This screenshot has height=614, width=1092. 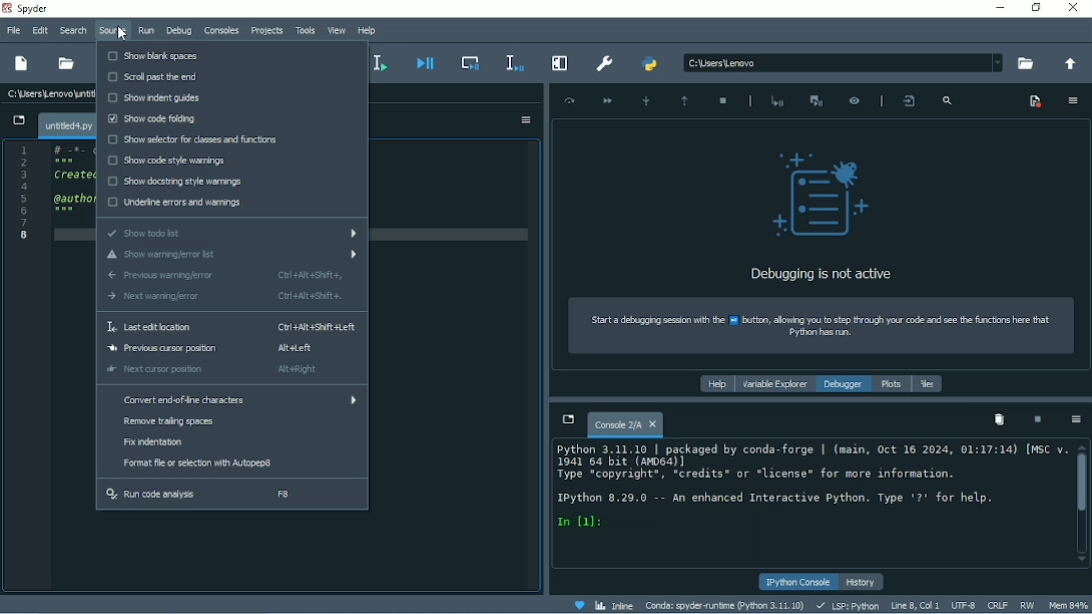 What do you see at coordinates (29, 9) in the screenshot?
I see `Spyder` at bounding box center [29, 9].